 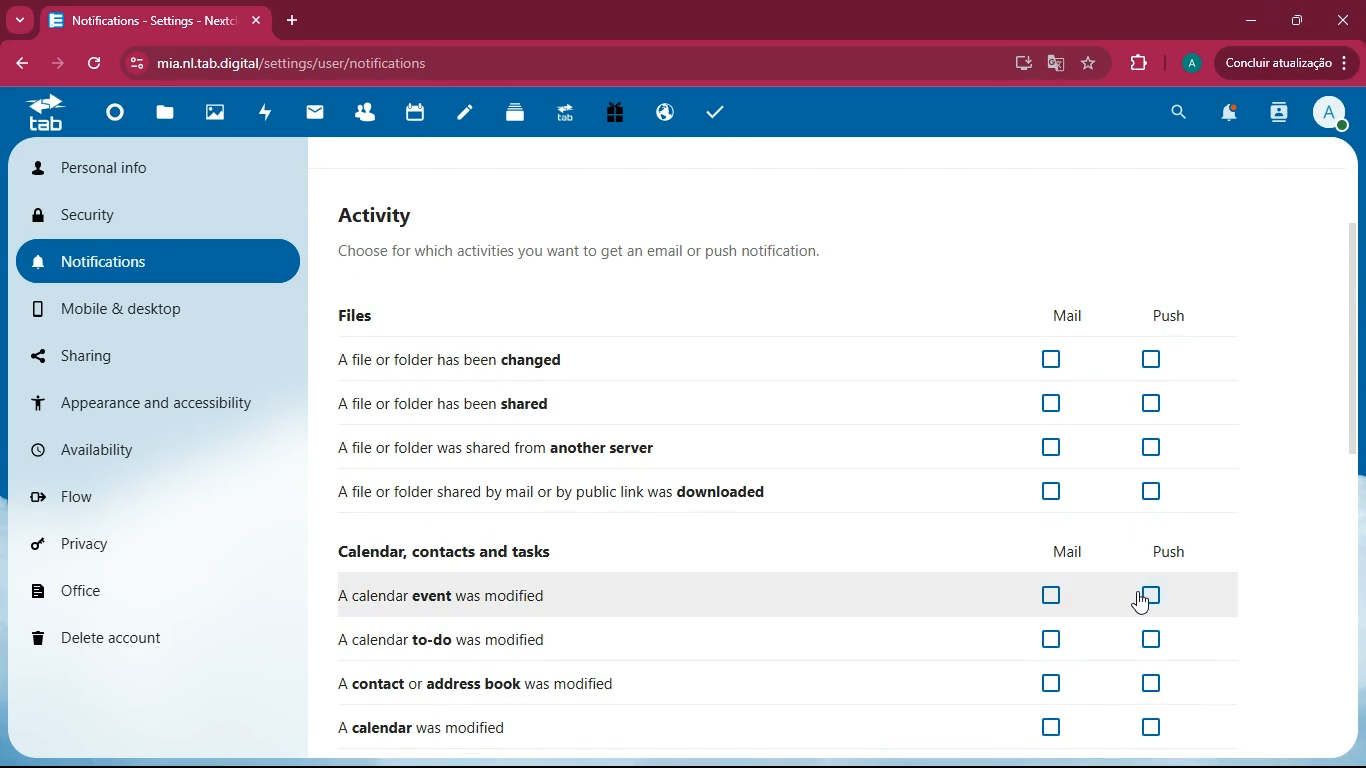 What do you see at coordinates (165, 586) in the screenshot?
I see `office` at bounding box center [165, 586].